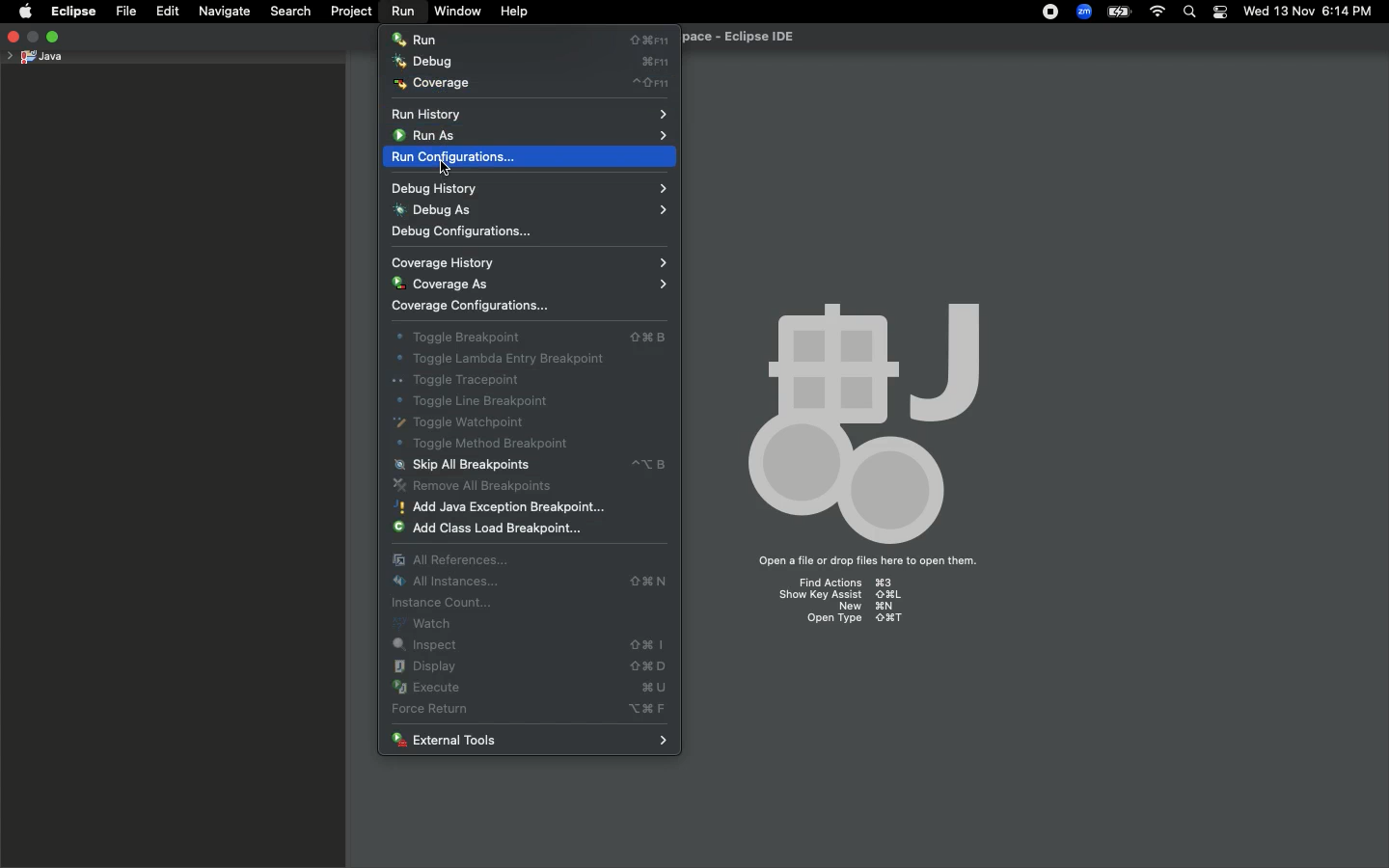 The width and height of the screenshot is (1389, 868). Describe the element at coordinates (225, 12) in the screenshot. I see `Navigate` at that location.